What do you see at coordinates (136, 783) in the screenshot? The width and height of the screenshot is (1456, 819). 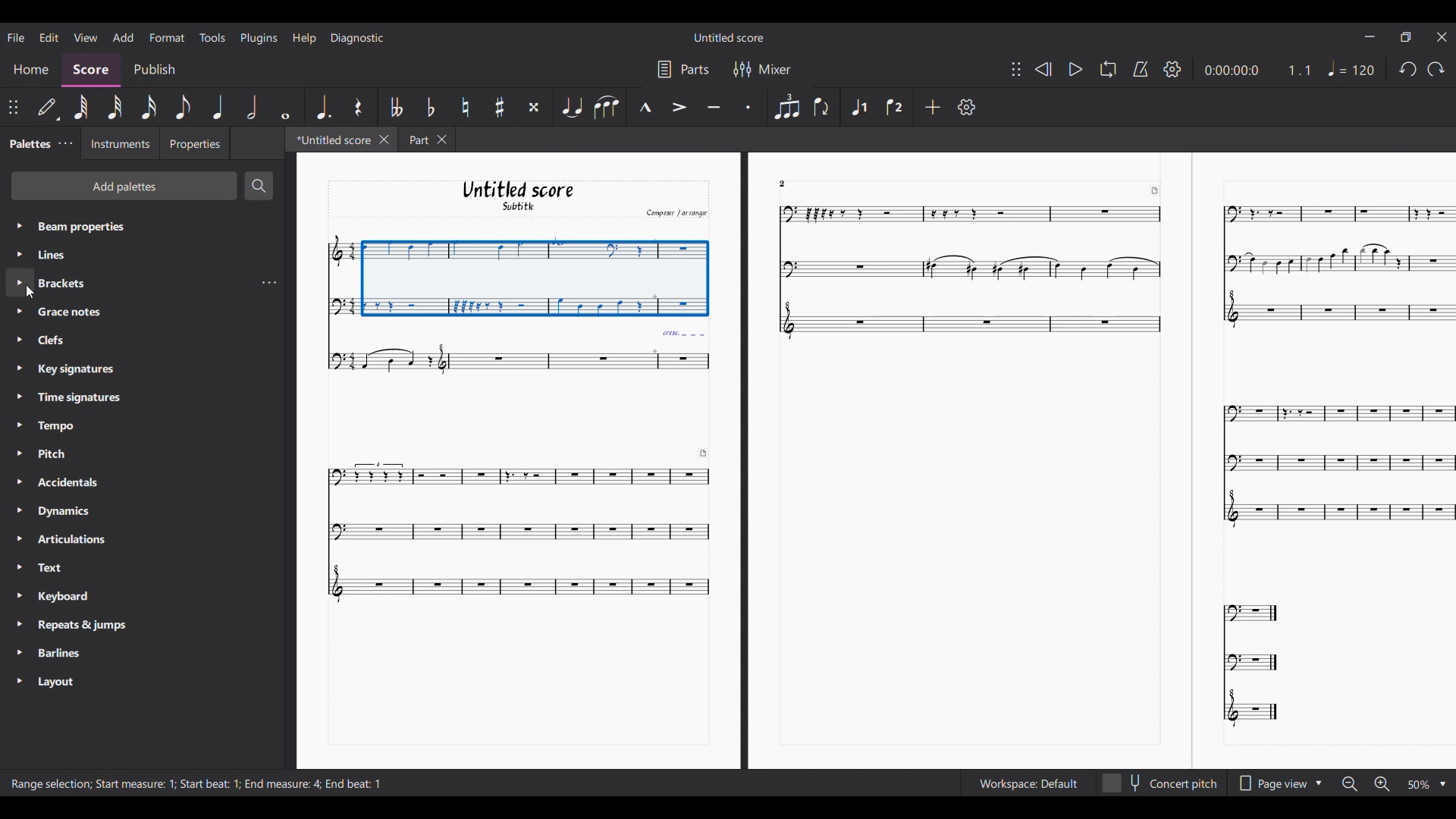 I see `start measure 1 ;` at bounding box center [136, 783].